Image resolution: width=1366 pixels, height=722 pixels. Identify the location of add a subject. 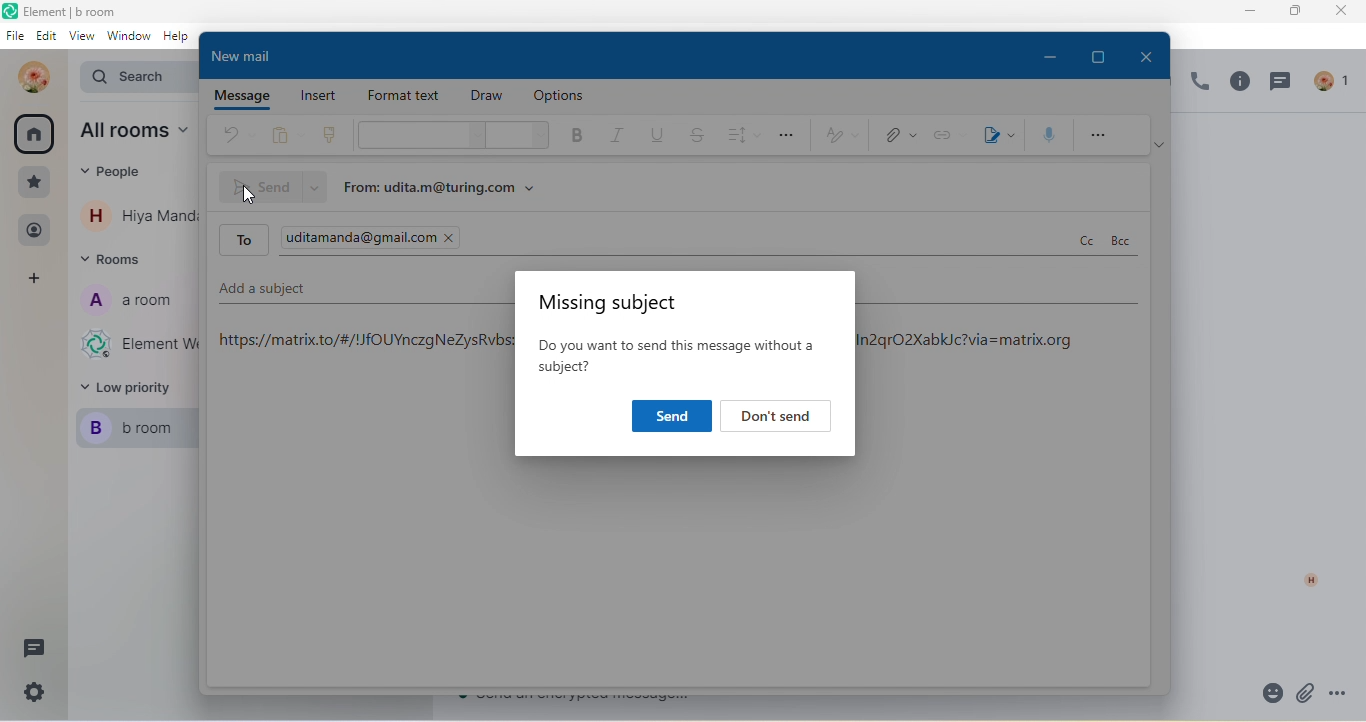
(355, 297).